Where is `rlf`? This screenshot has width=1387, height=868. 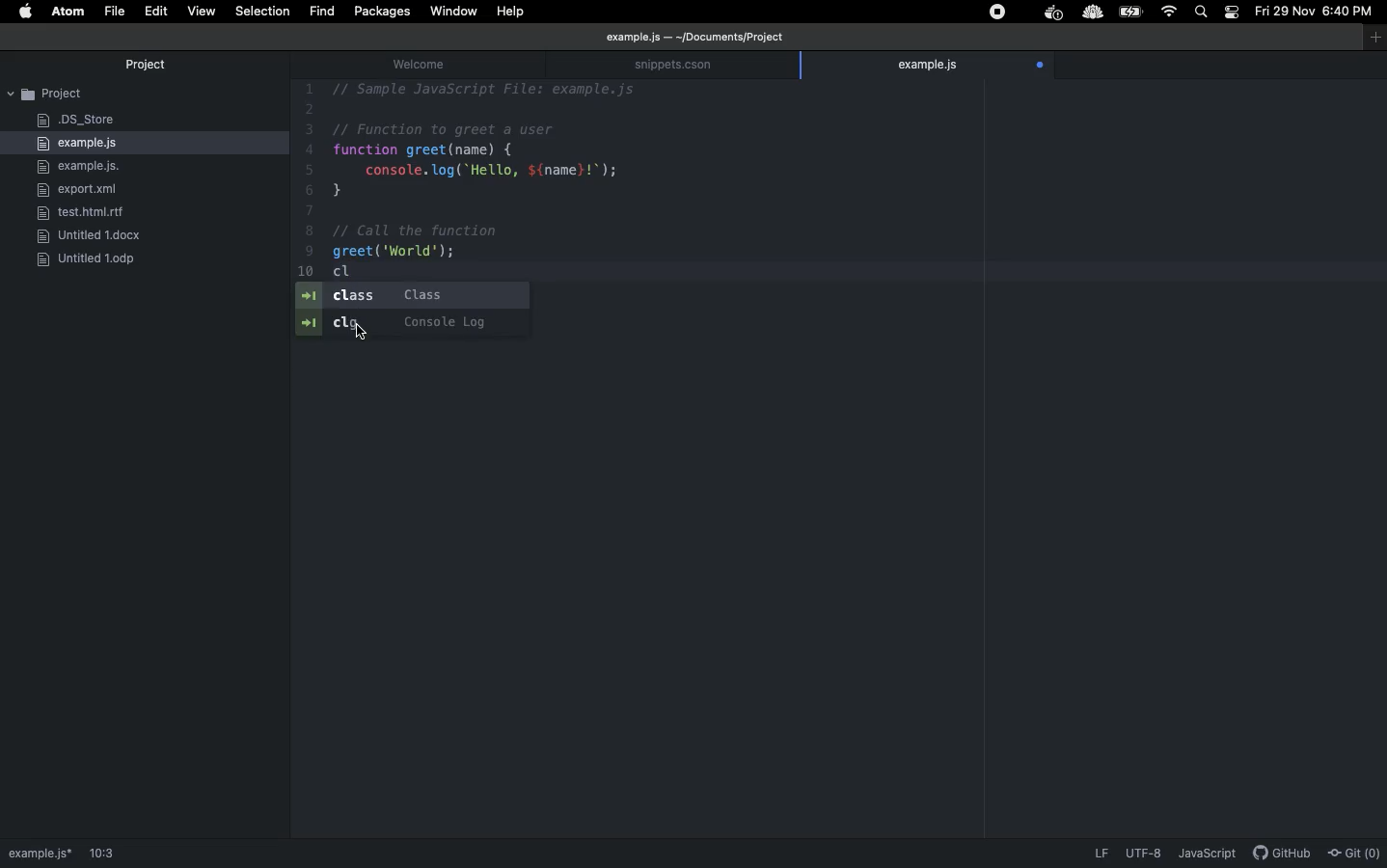
rlf is located at coordinates (82, 213).